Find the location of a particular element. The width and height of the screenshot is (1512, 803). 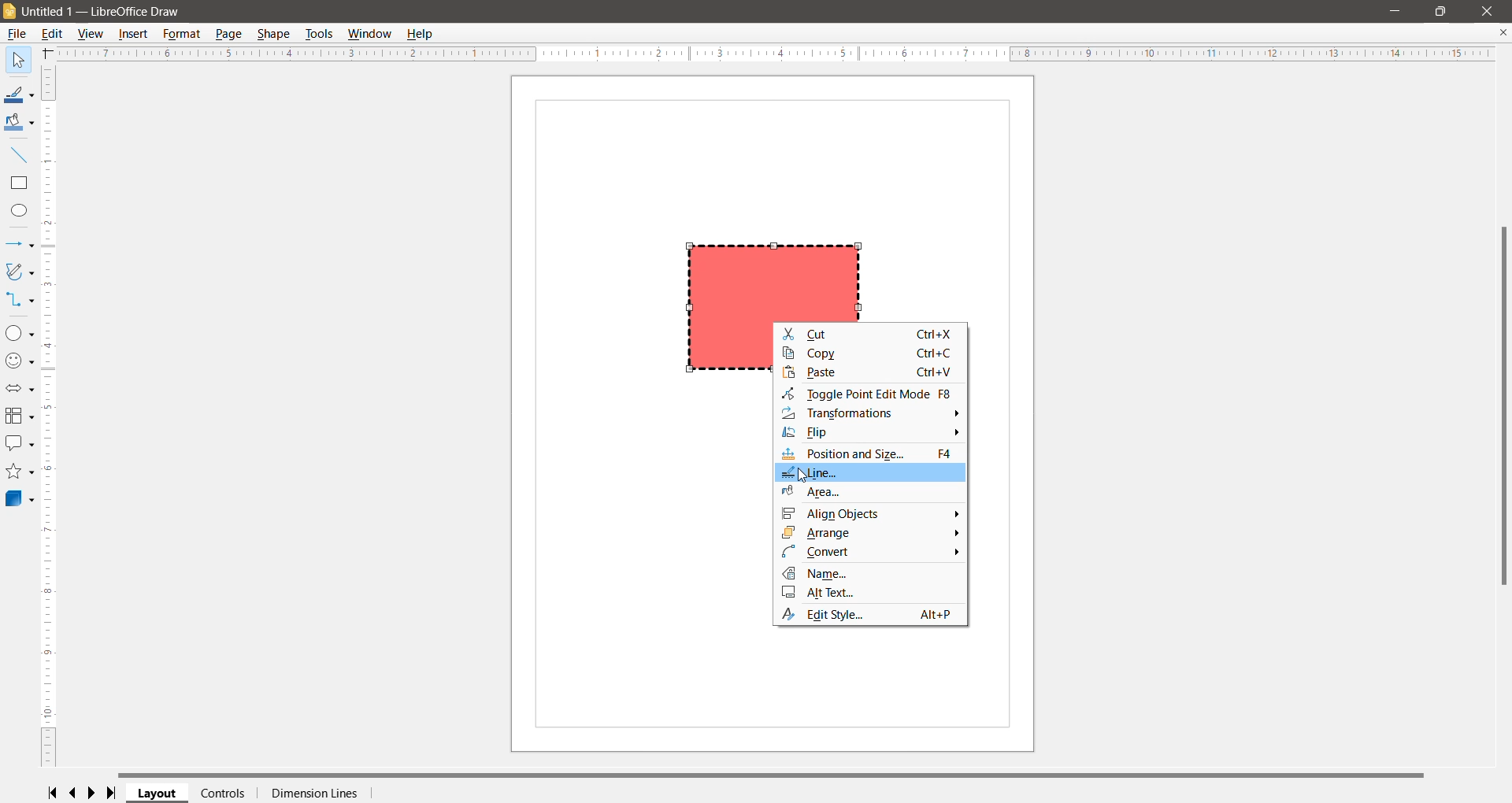

Format is located at coordinates (181, 34).